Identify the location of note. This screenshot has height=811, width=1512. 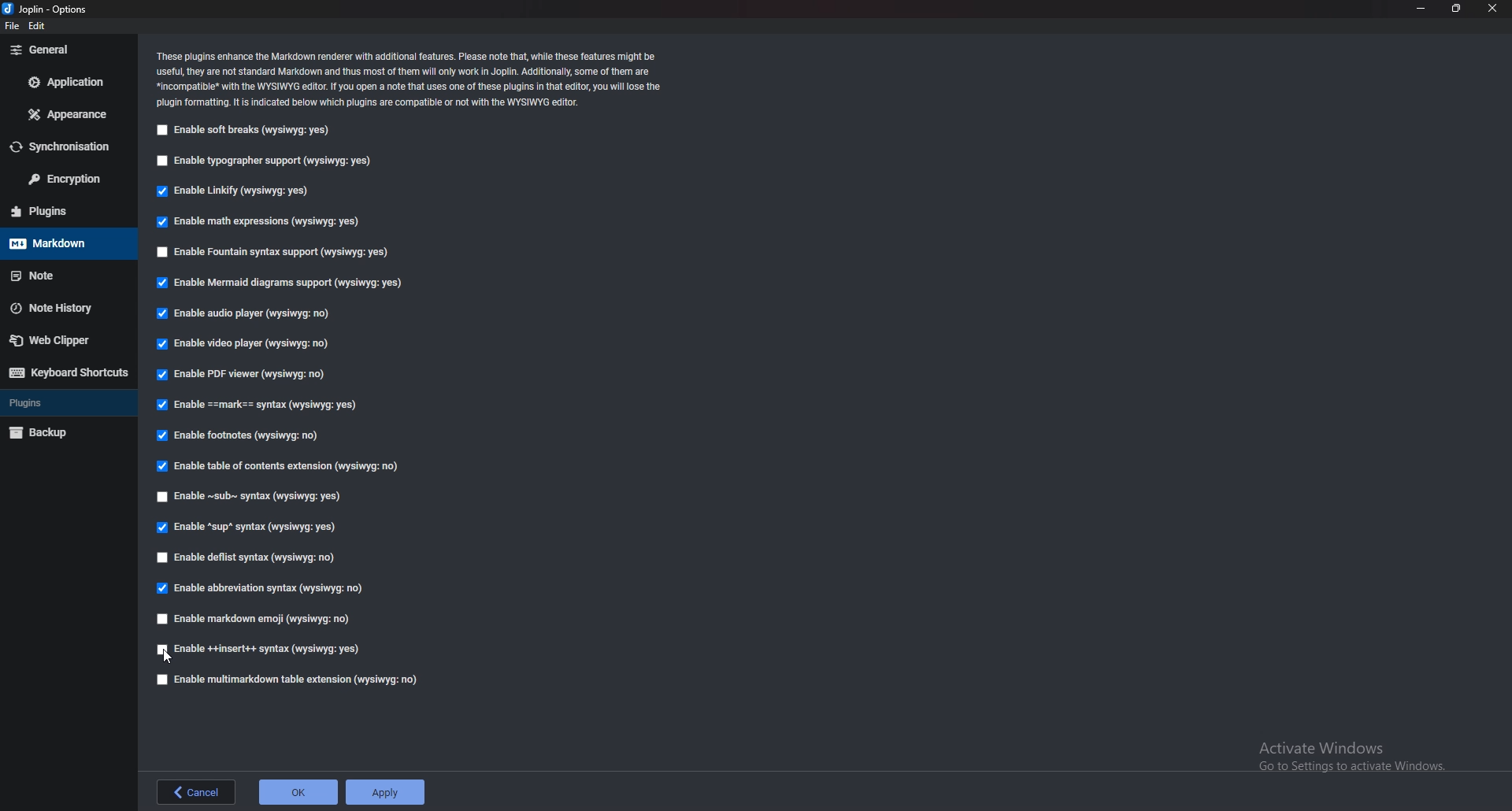
(66, 276).